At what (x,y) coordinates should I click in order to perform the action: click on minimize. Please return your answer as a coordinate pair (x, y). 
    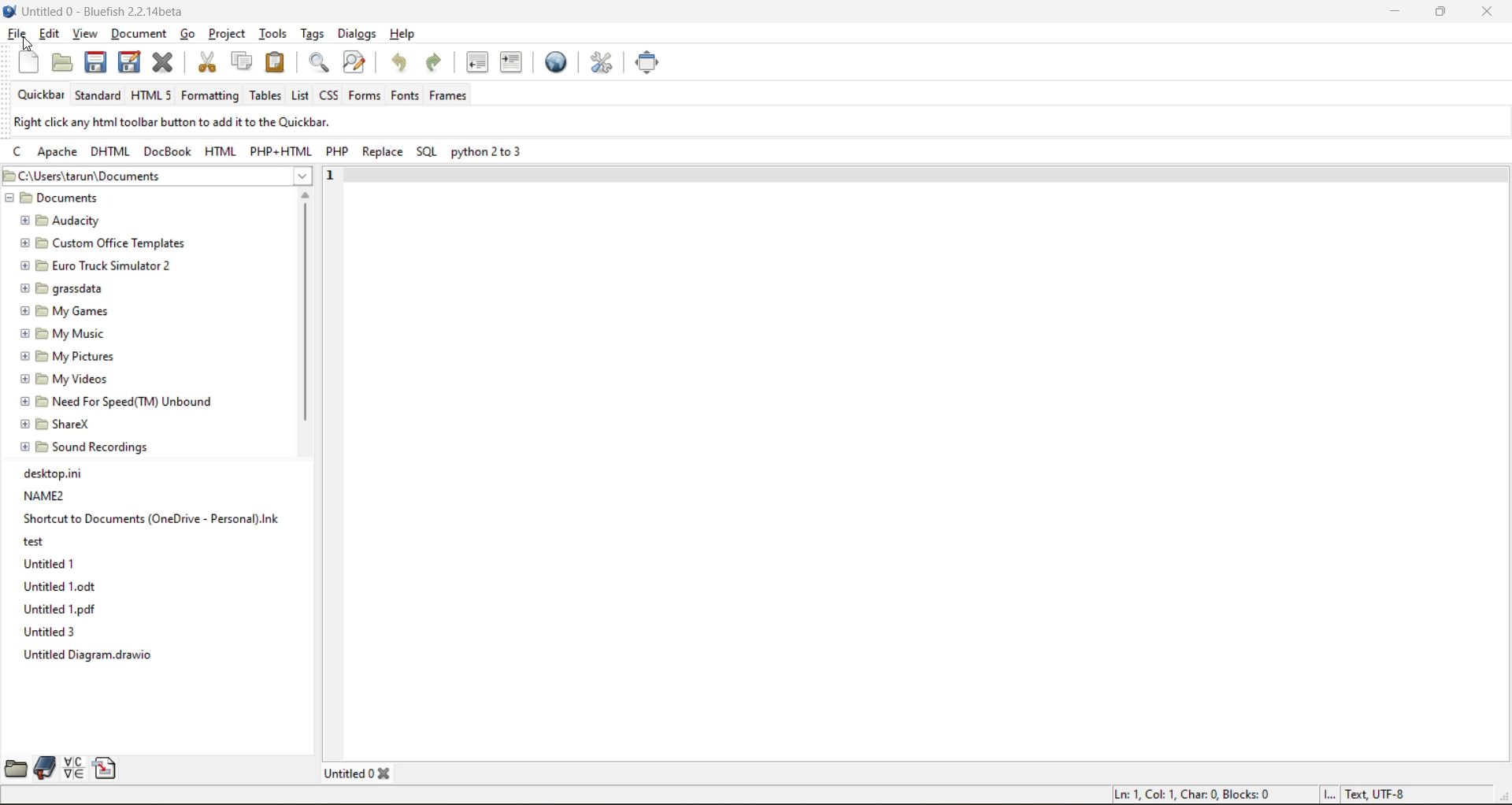
    Looking at the image, I should click on (1399, 9).